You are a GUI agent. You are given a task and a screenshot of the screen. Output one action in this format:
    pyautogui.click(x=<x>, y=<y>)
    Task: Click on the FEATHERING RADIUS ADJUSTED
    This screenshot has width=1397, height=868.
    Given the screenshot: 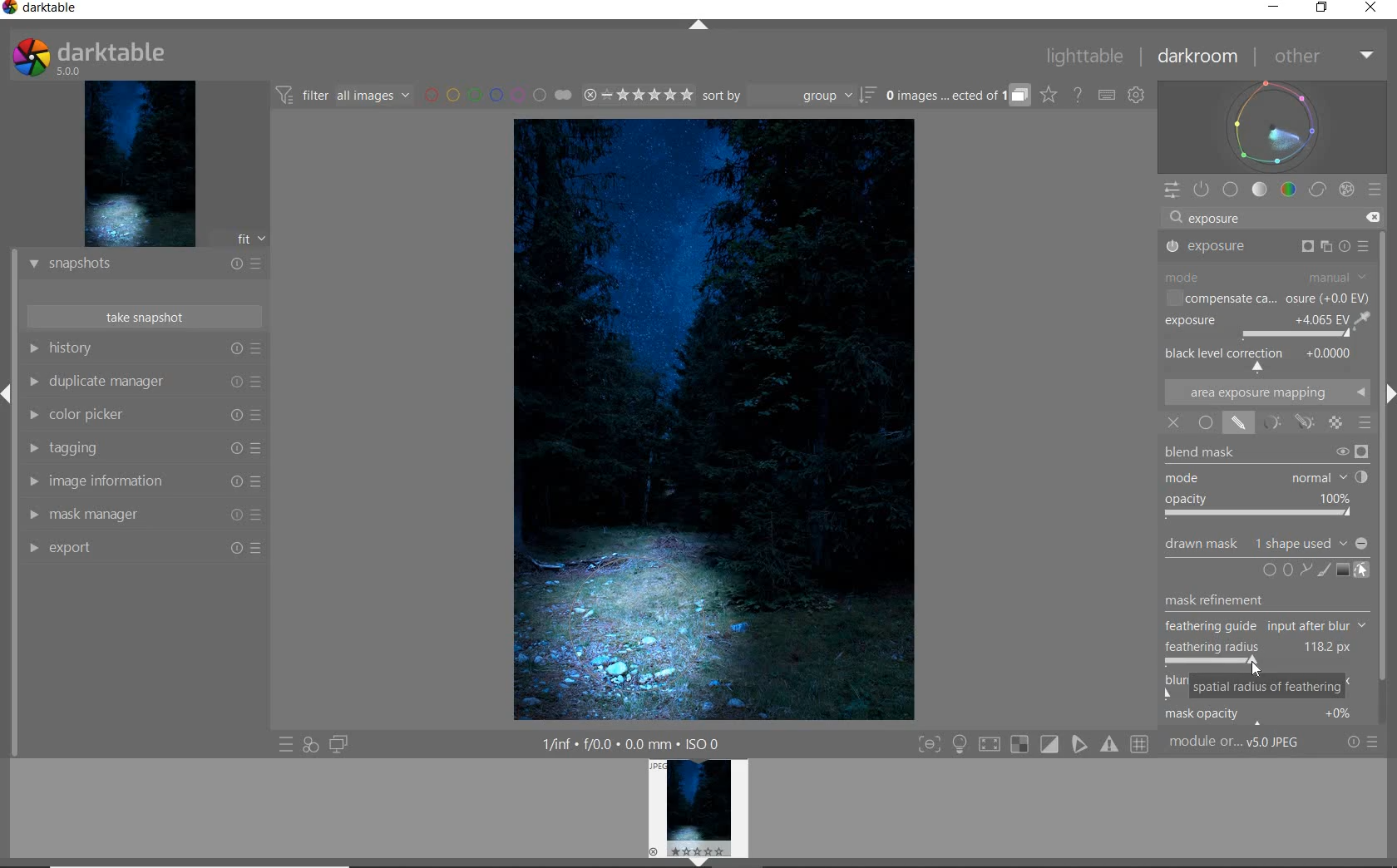 What is the action you would take?
    pyautogui.click(x=1258, y=653)
    